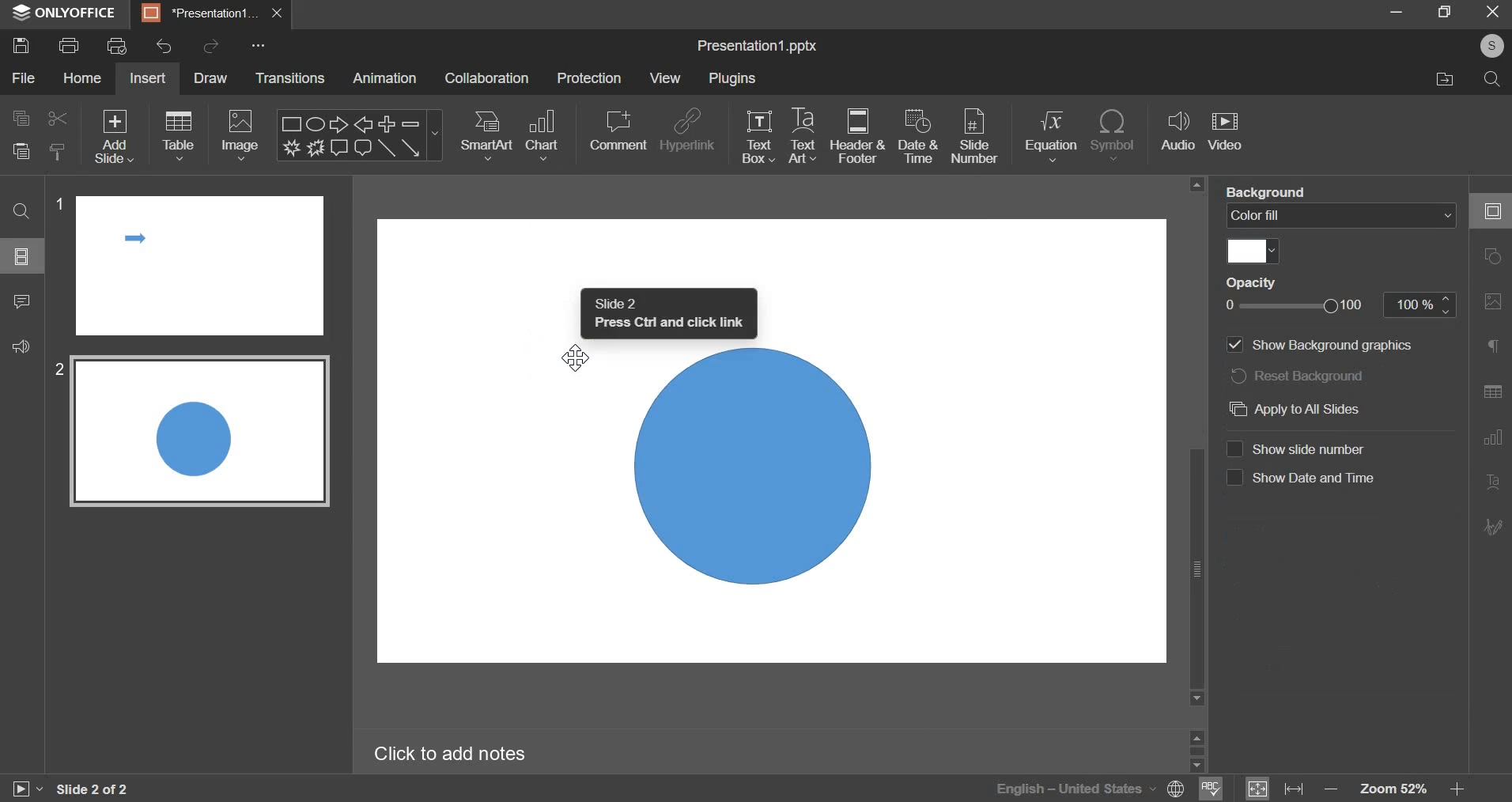  I want to click on Cursor, so click(576, 360).